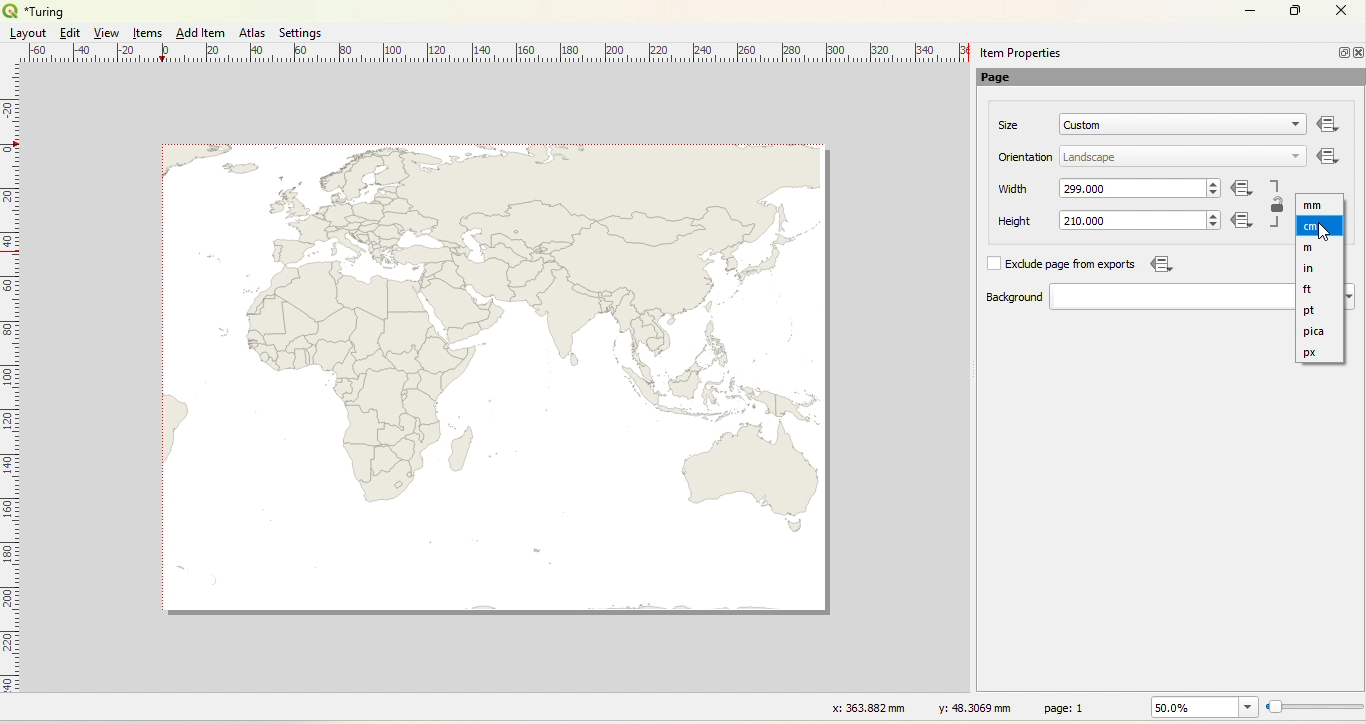 This screenshot has height=724, width=1366. What do you see at coordinates (1211, 214) in the screenshot?
I see `increase` at bounding box center [1211, 214].